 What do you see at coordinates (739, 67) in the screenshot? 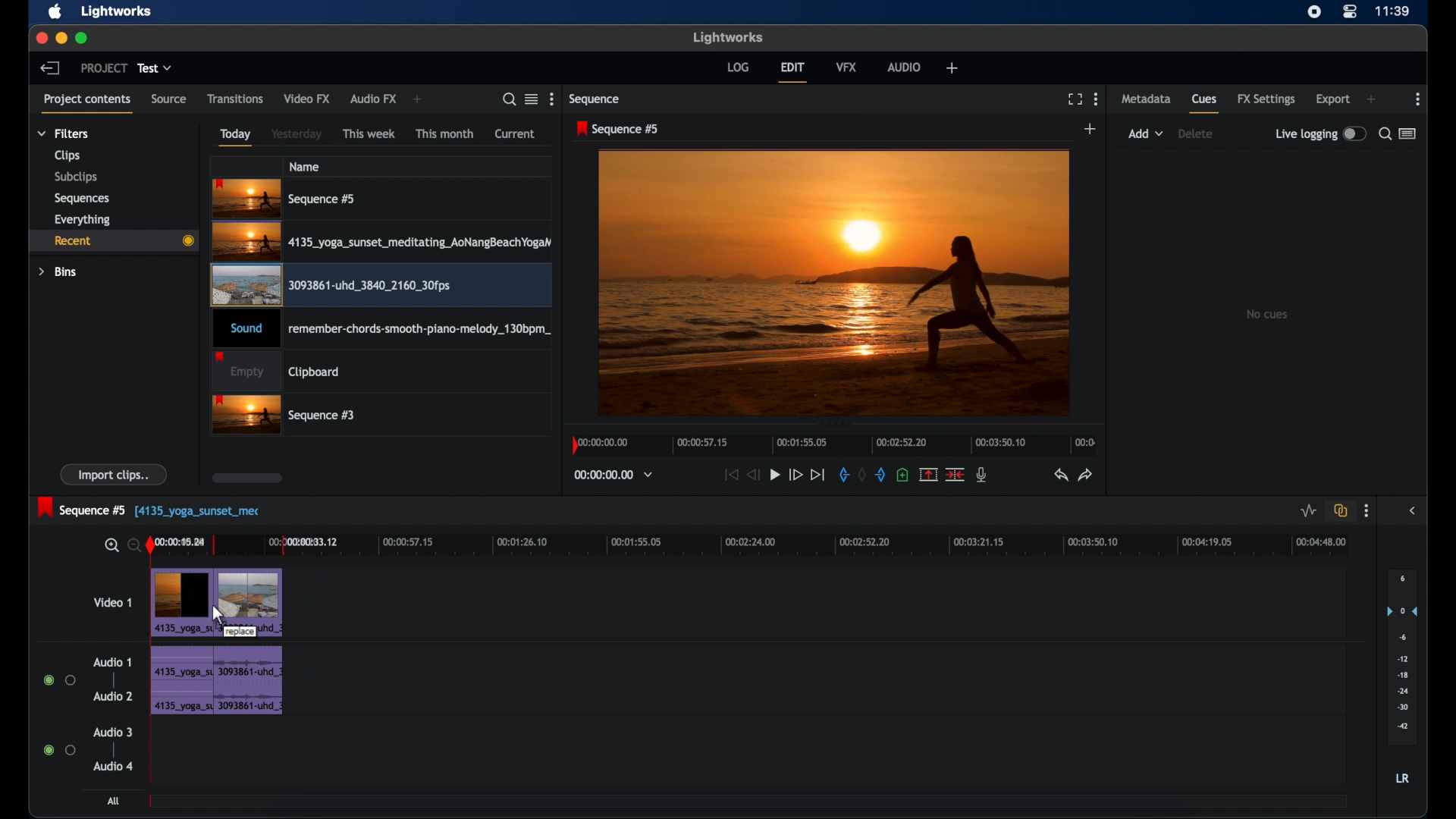
I see `log` at bounding box center [739, 67].